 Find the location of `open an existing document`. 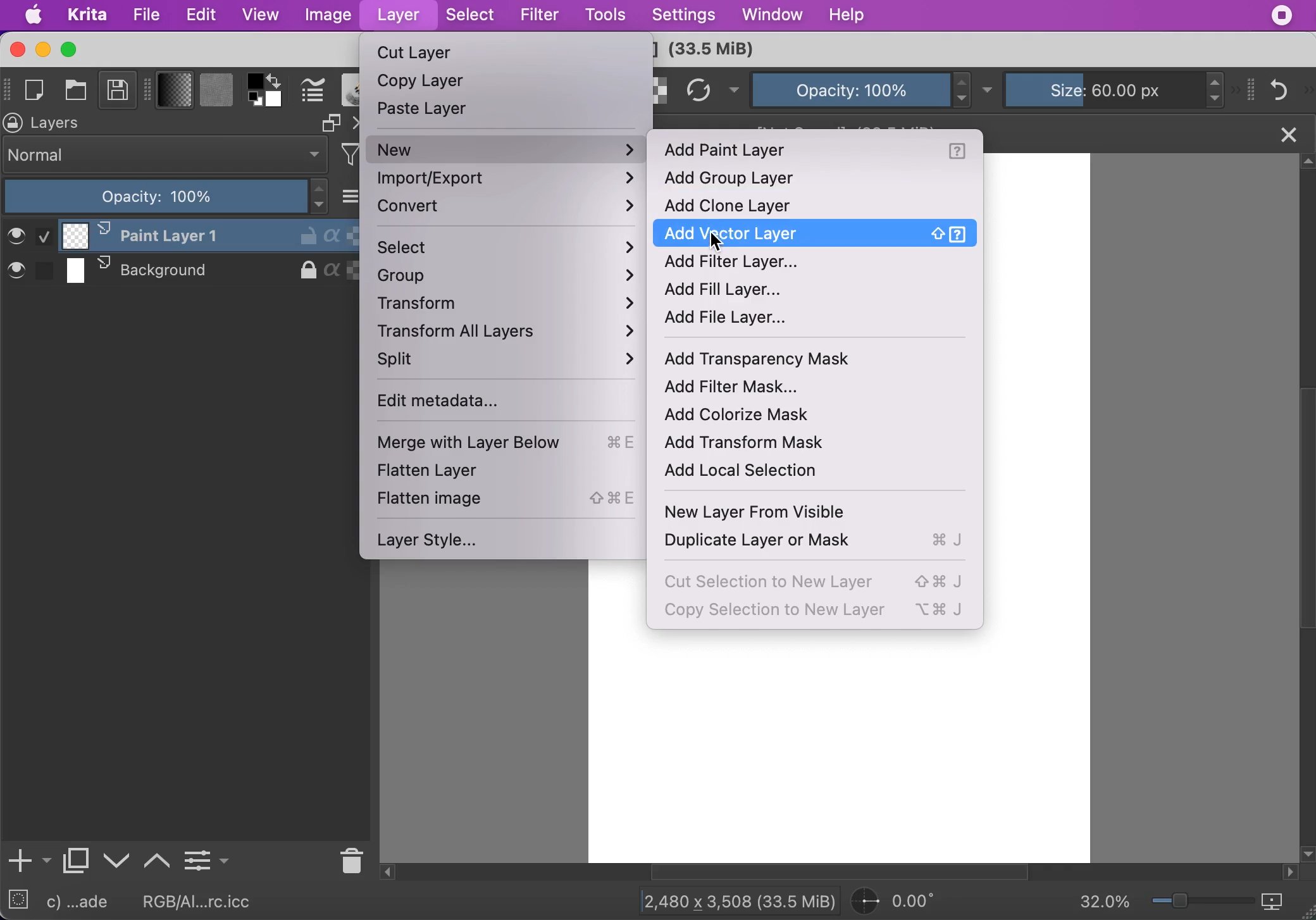

open an existing document is located at coordinates (78, 92).